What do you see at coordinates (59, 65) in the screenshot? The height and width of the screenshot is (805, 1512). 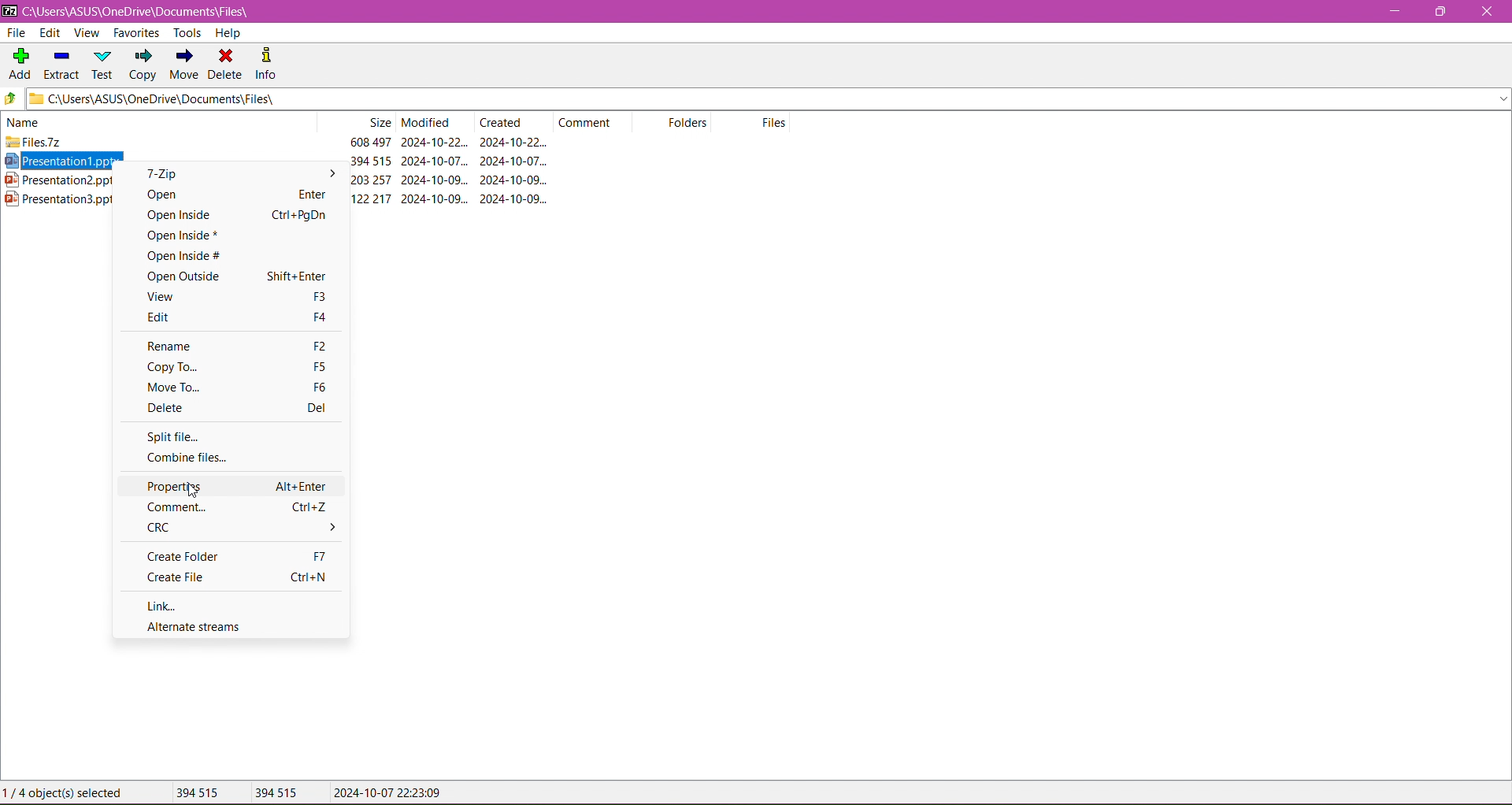 I see `Extract` at bounding box center [59, 65].